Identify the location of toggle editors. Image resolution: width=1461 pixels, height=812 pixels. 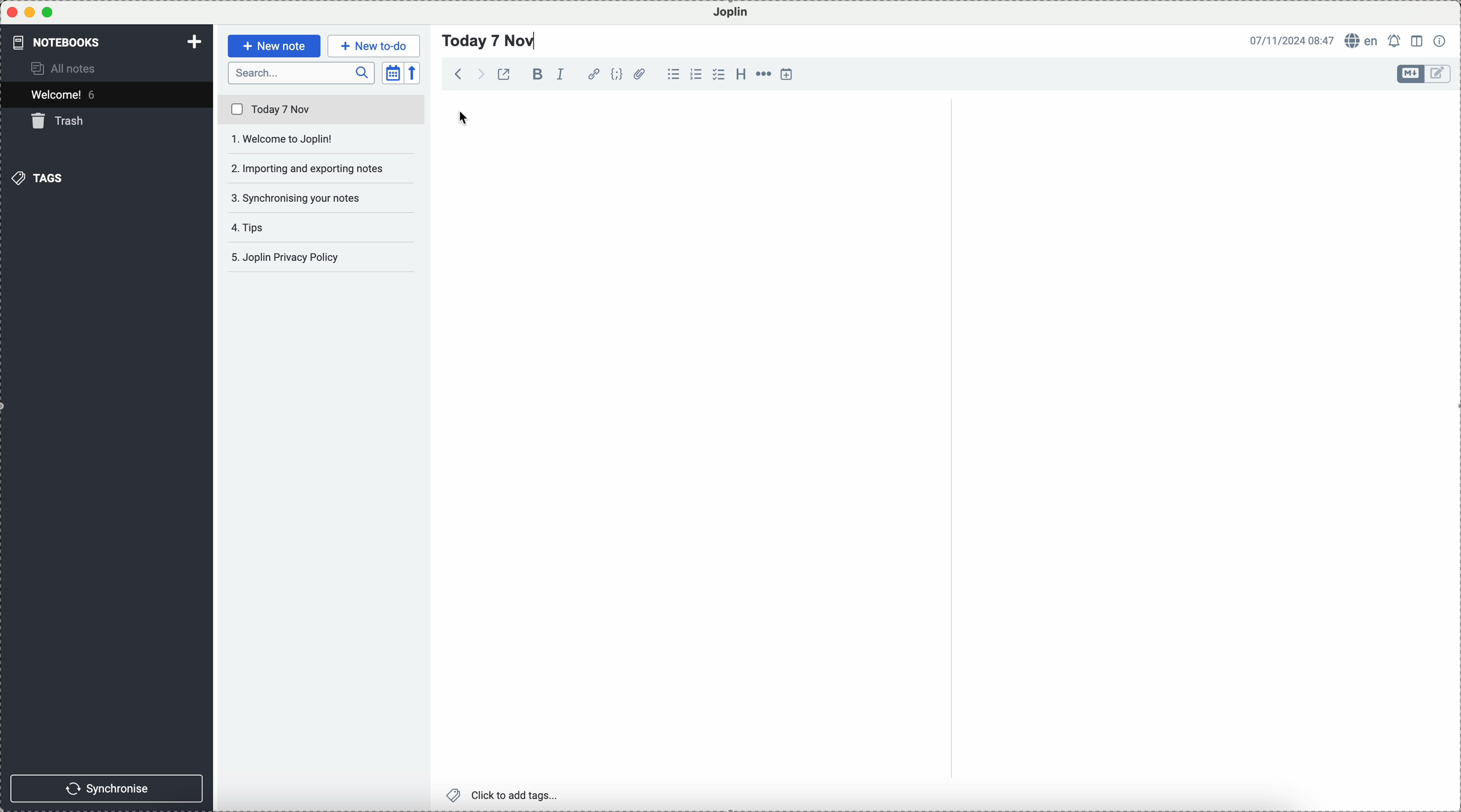
(1439, 74).